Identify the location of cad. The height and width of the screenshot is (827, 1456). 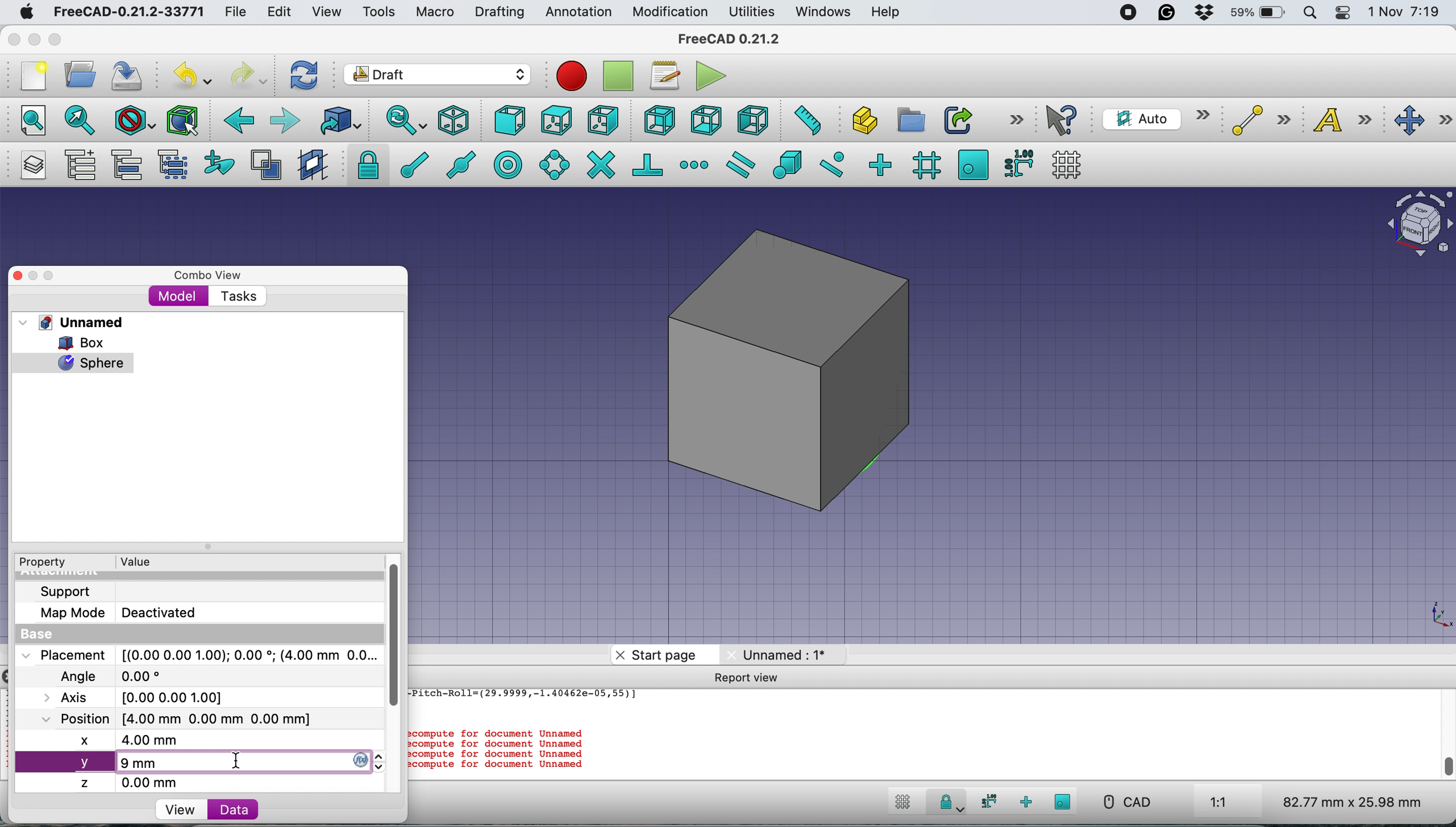
(1126, 802).